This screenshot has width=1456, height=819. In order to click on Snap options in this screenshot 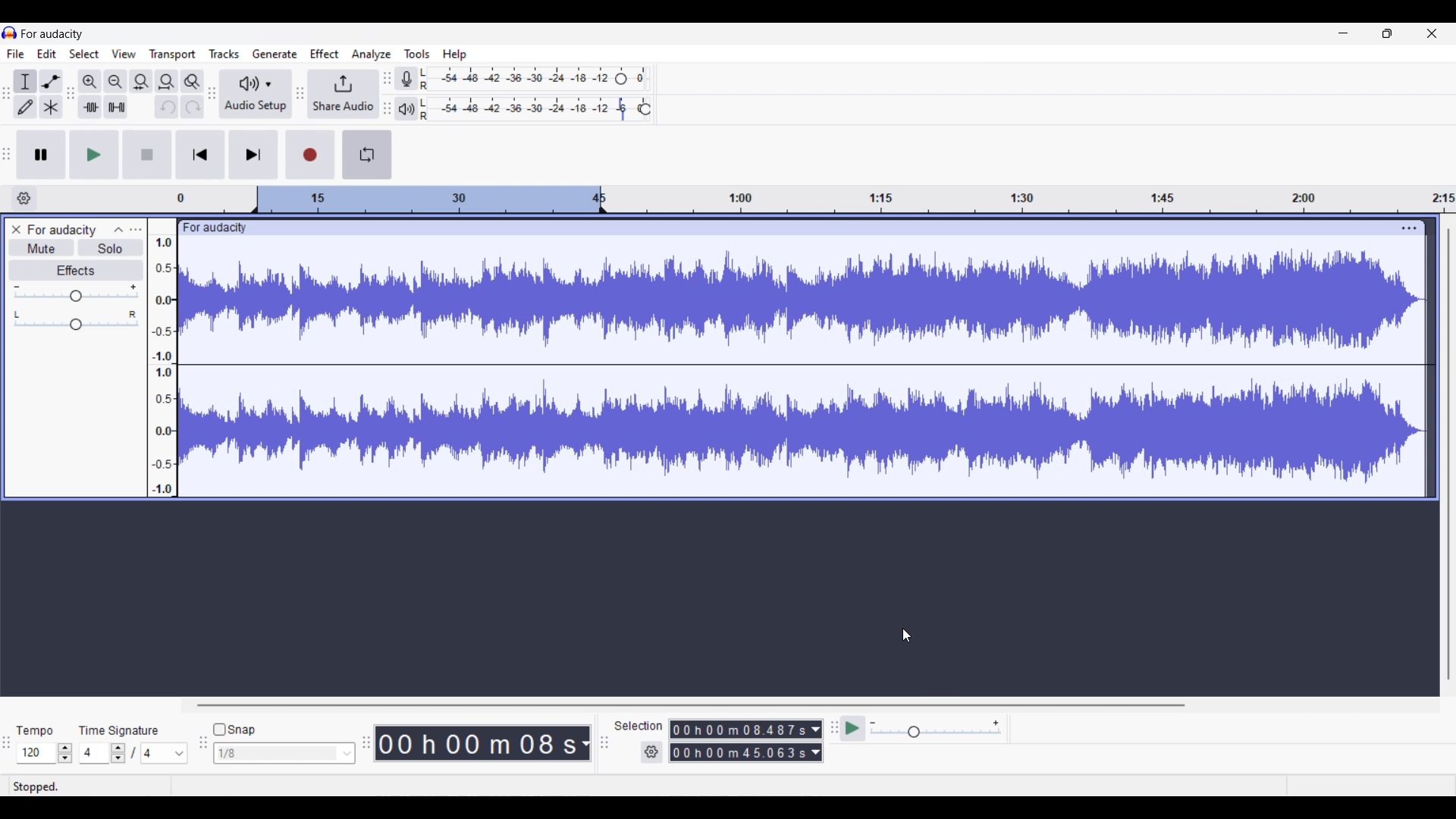, I will do `click(284, 753)`.